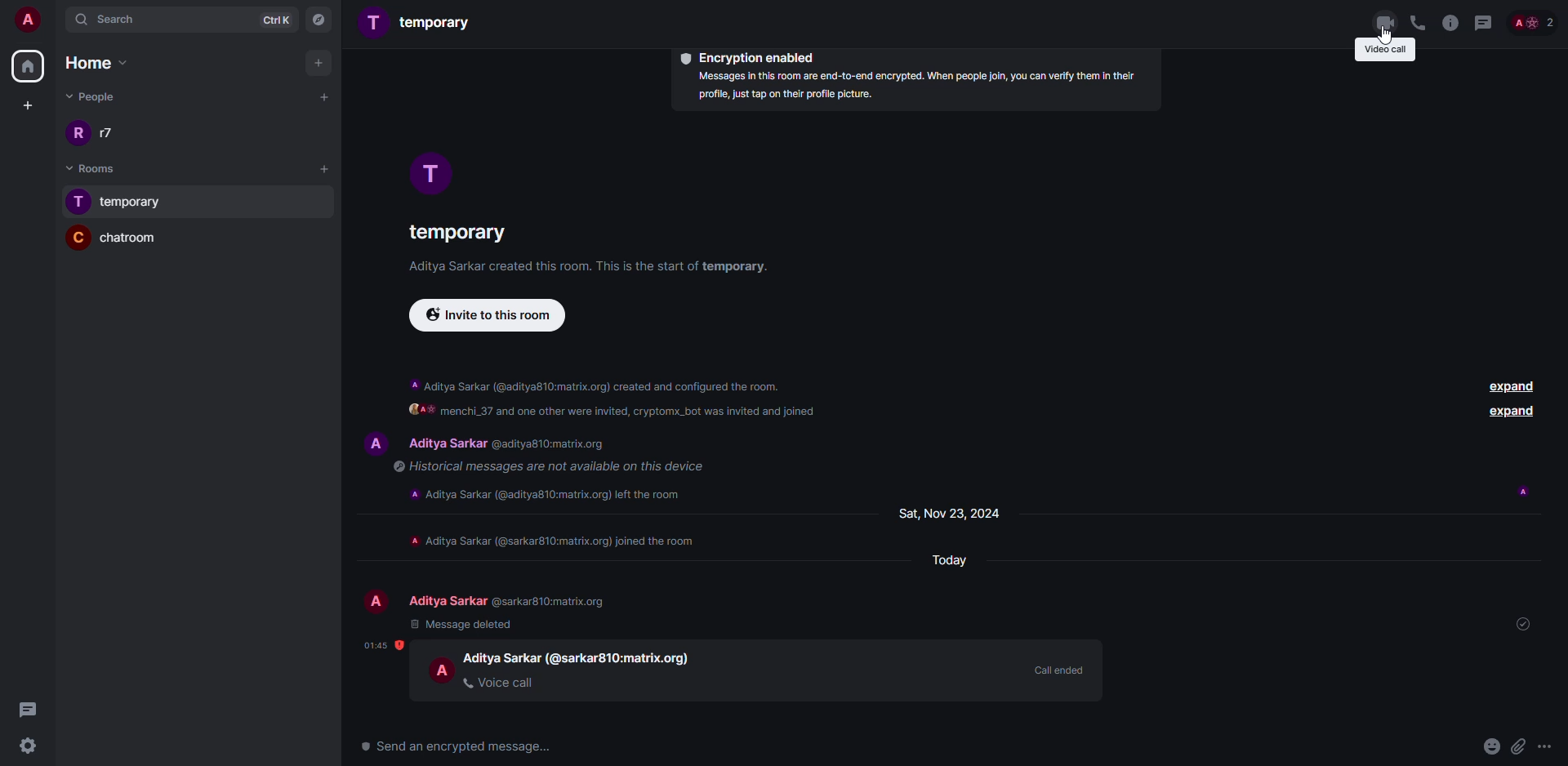 The height and width of the screenshot is (766, 1568). Describe the element at coordinates (385, 645) in the screenshot. I see `time` at that location.